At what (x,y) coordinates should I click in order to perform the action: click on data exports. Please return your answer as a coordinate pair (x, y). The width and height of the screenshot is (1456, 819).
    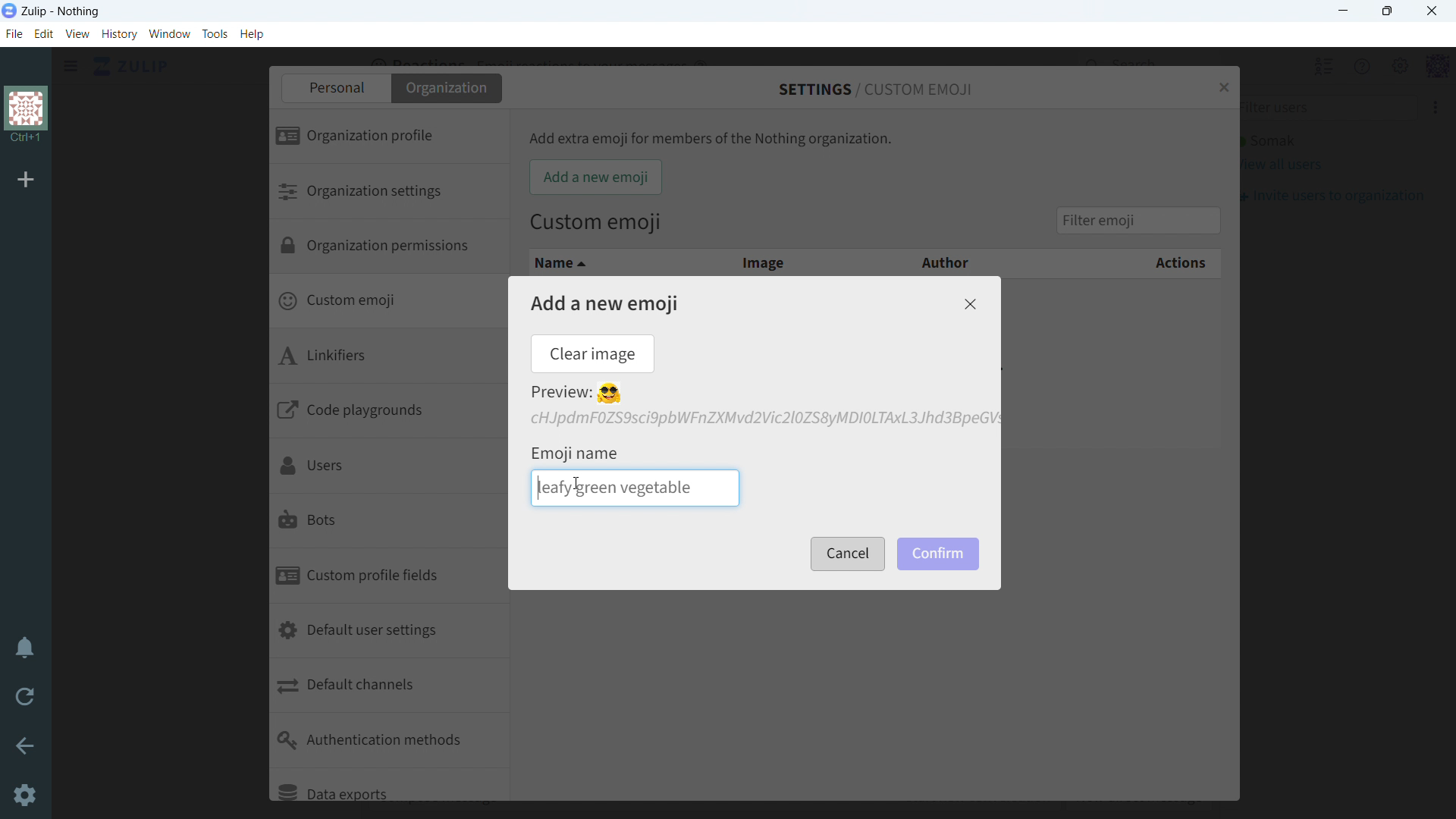
    Looking at the image, I should click on (388, 785).